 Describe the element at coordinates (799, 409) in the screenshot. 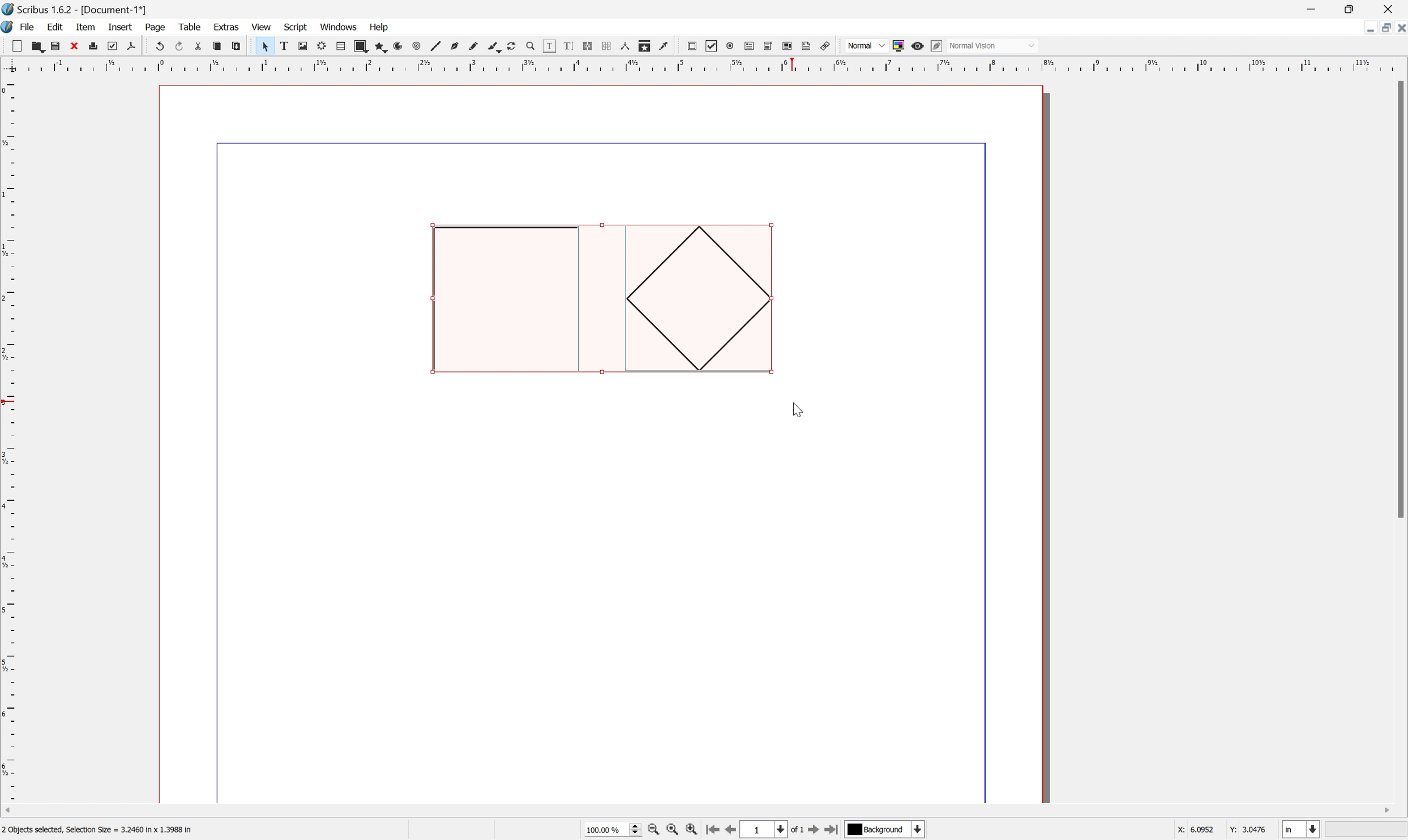

I see `Cursor` at that location.